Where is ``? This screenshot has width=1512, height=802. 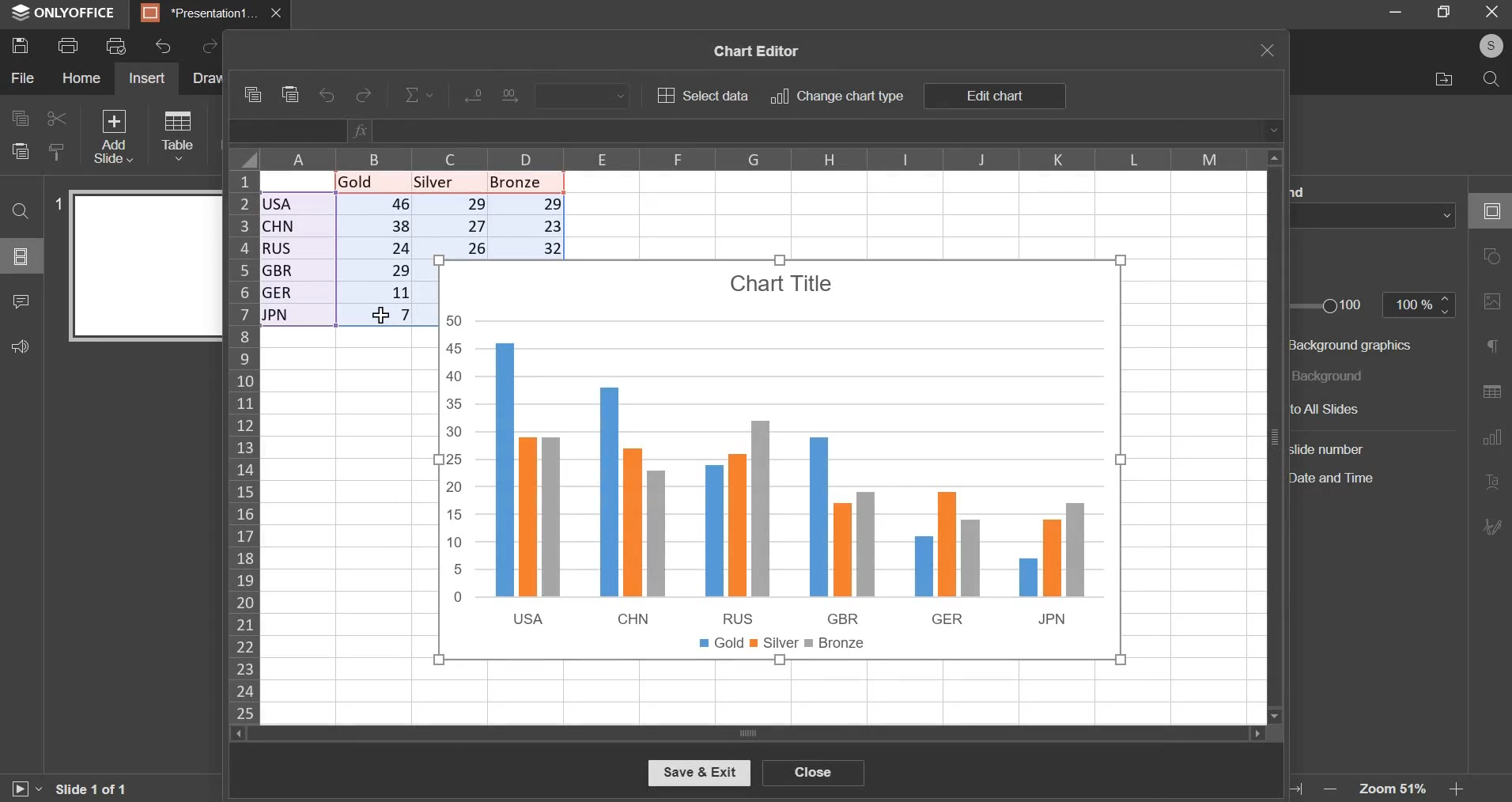  is located at coordinates (472, 98).